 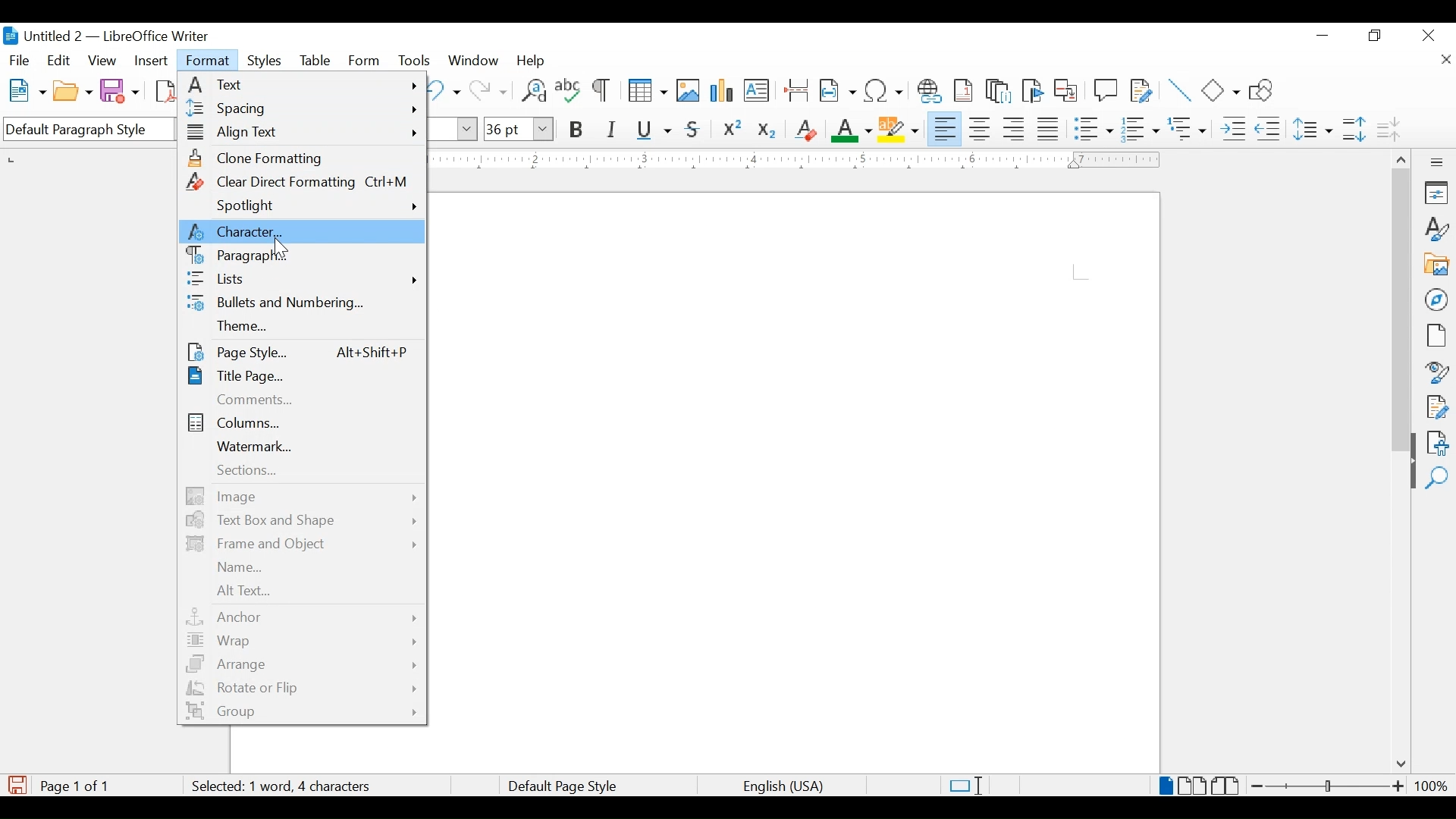 What do you see at coordinates (1437, 479) in the screenshot?
I see `find` at bounding box center [1437, 479].